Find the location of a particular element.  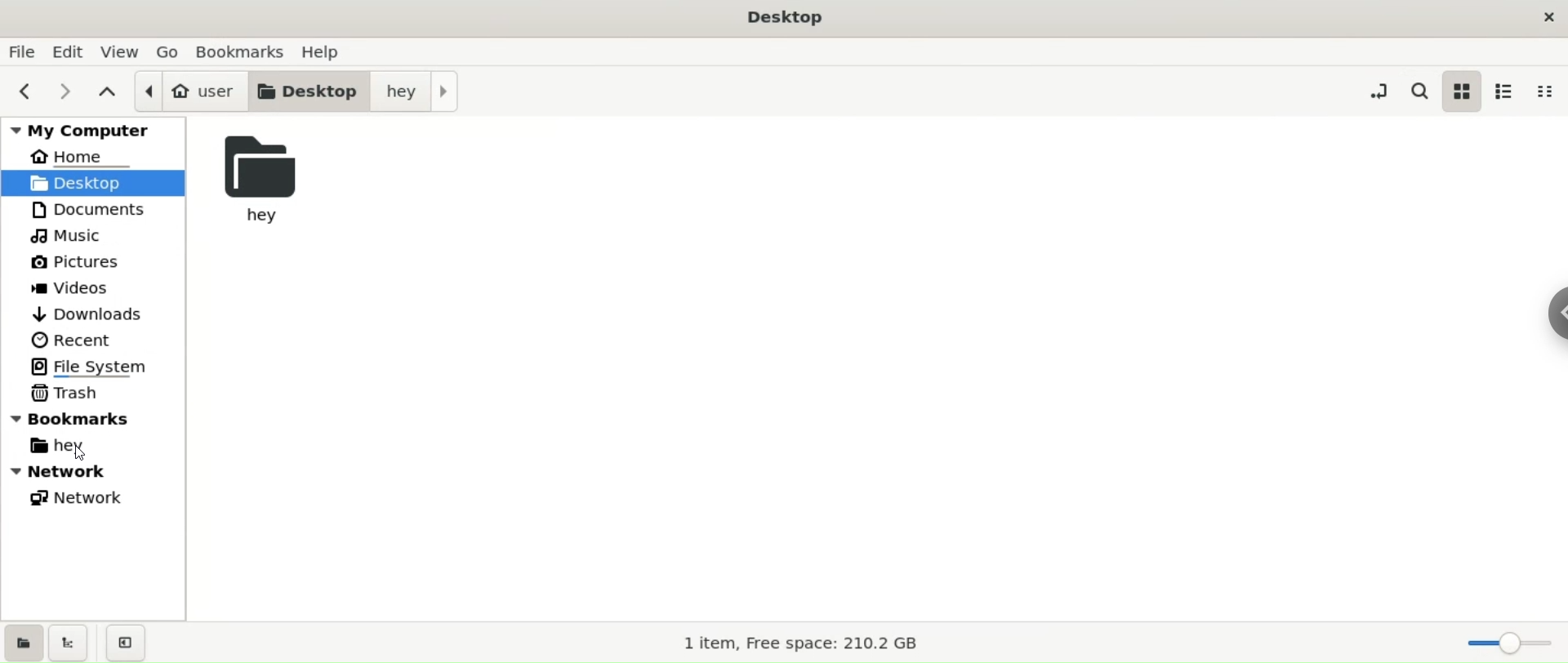

view is located at coordinates (121, 51).